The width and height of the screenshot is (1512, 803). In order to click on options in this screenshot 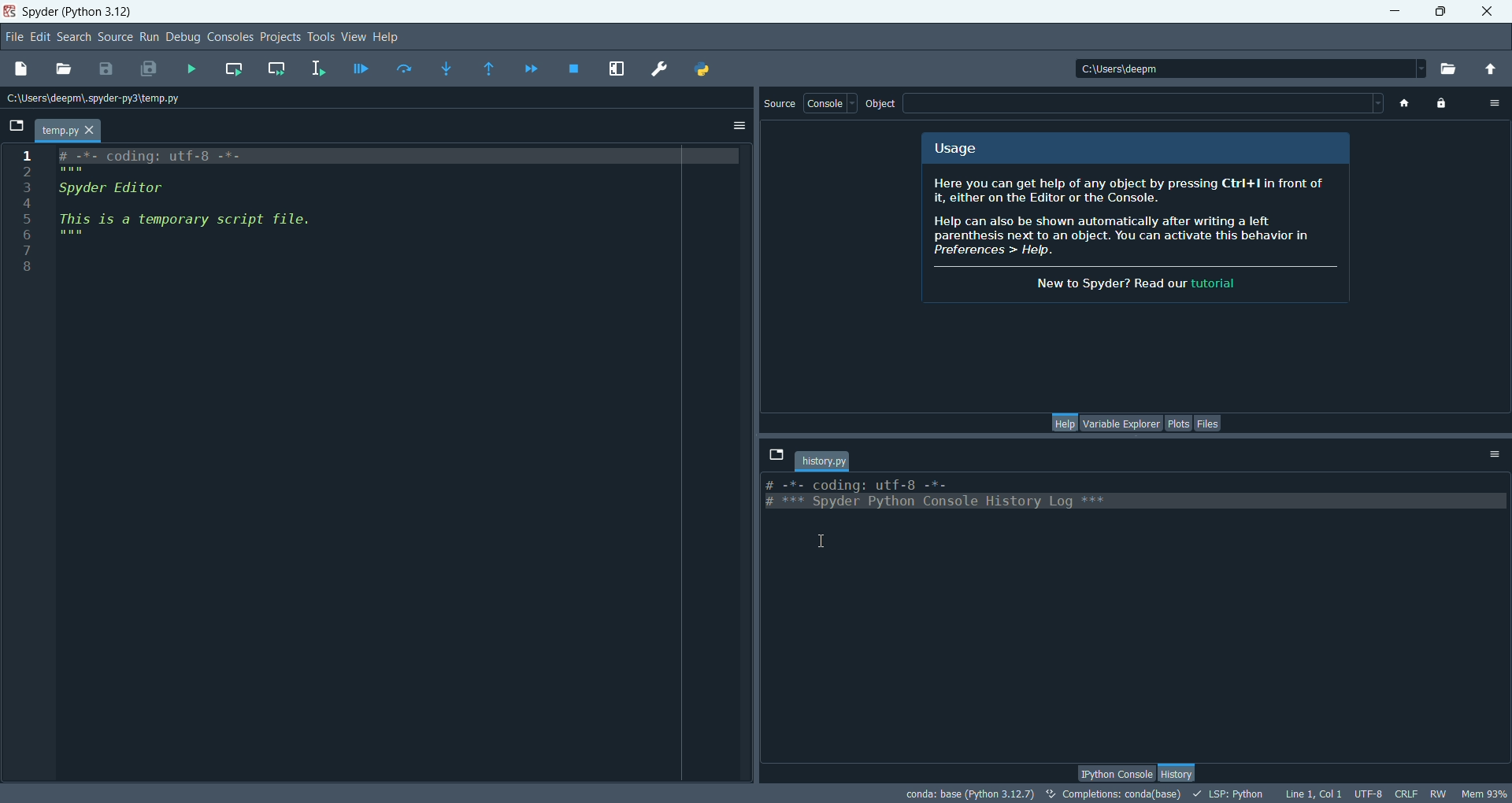, I will do `click(1498, 455)`.